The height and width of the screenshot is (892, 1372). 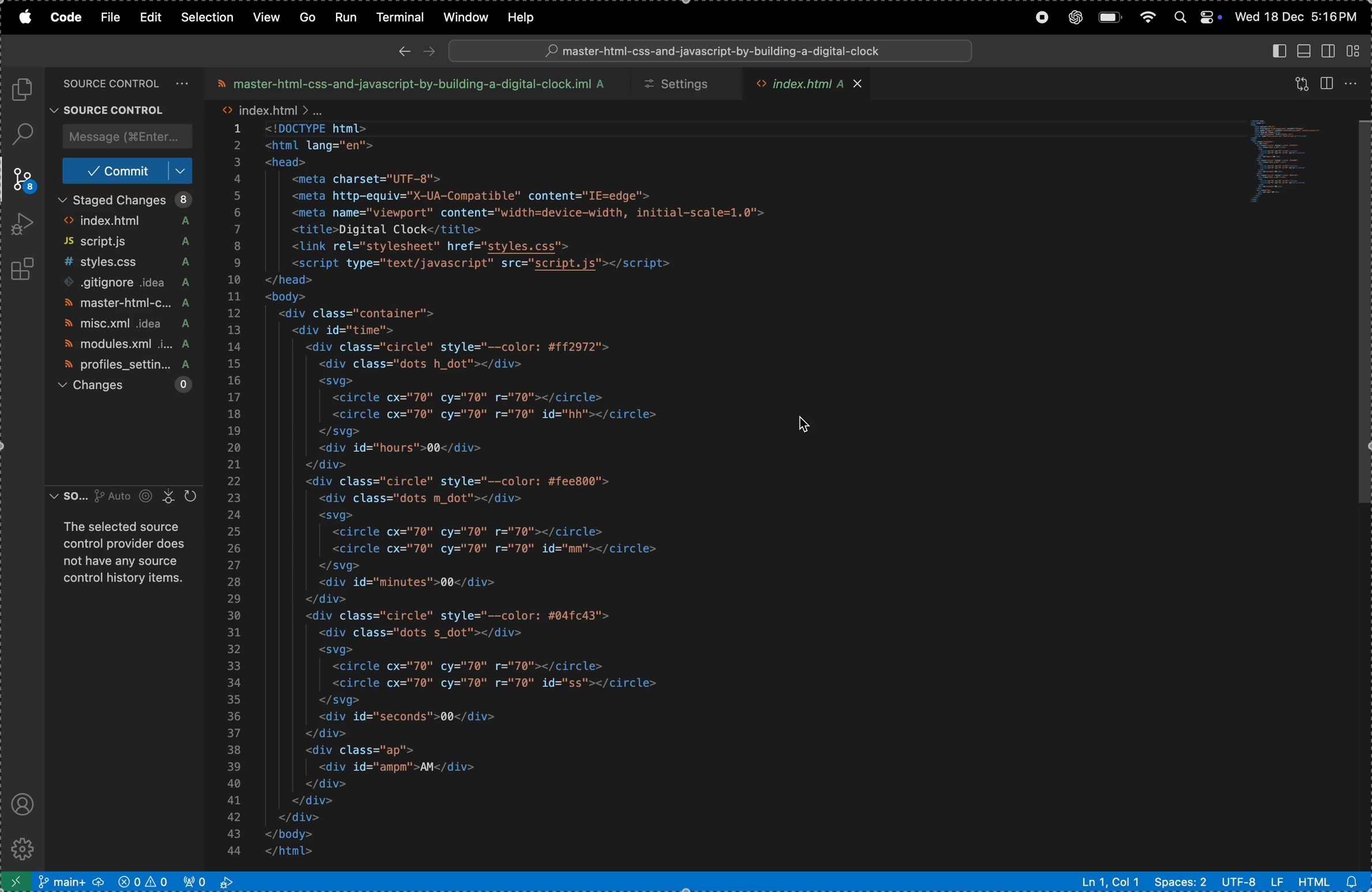 I want to click on </body>, so click(x=308, y=833).